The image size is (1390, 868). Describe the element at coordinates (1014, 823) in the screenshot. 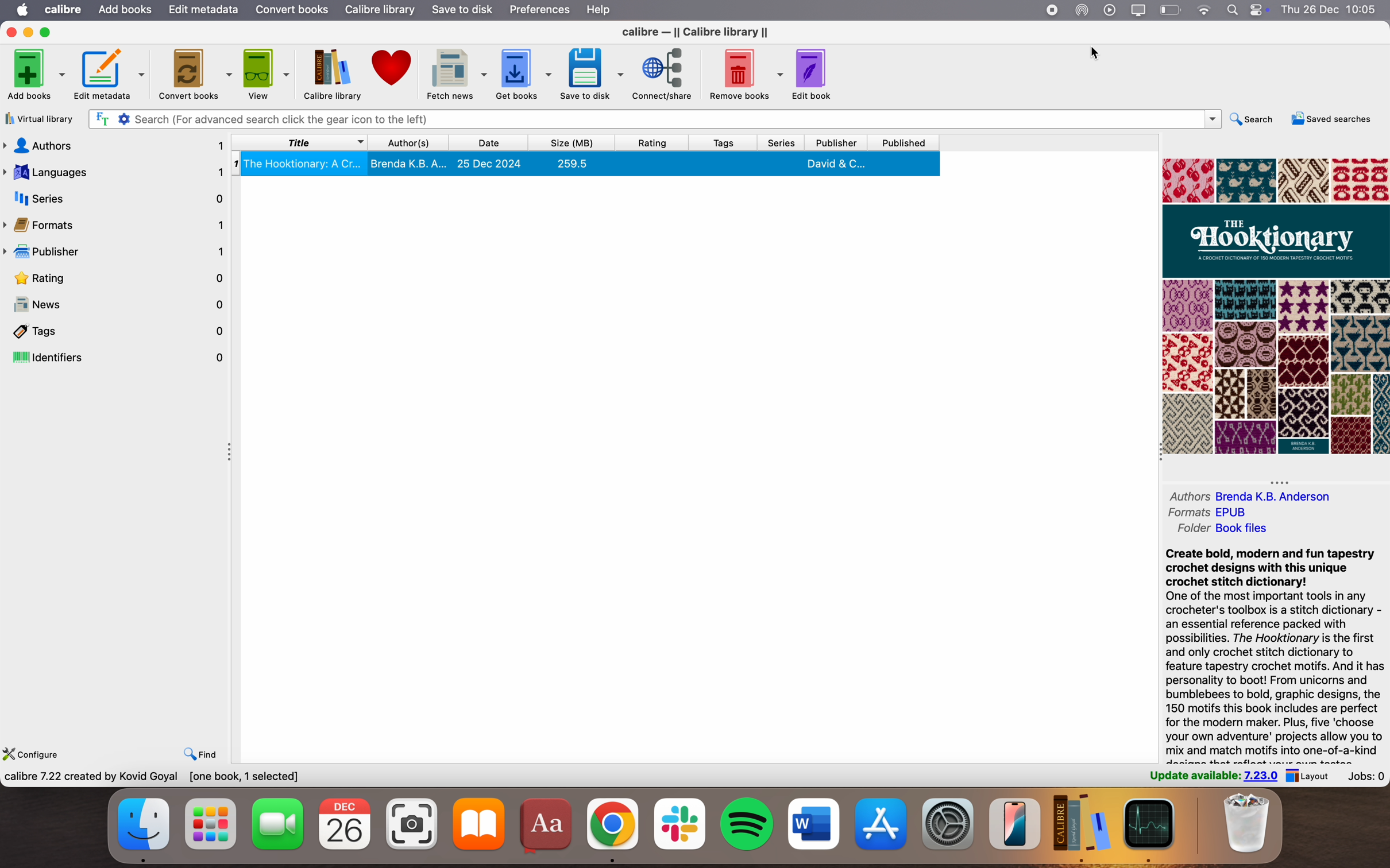

I see `iphone mirroring` at that location.